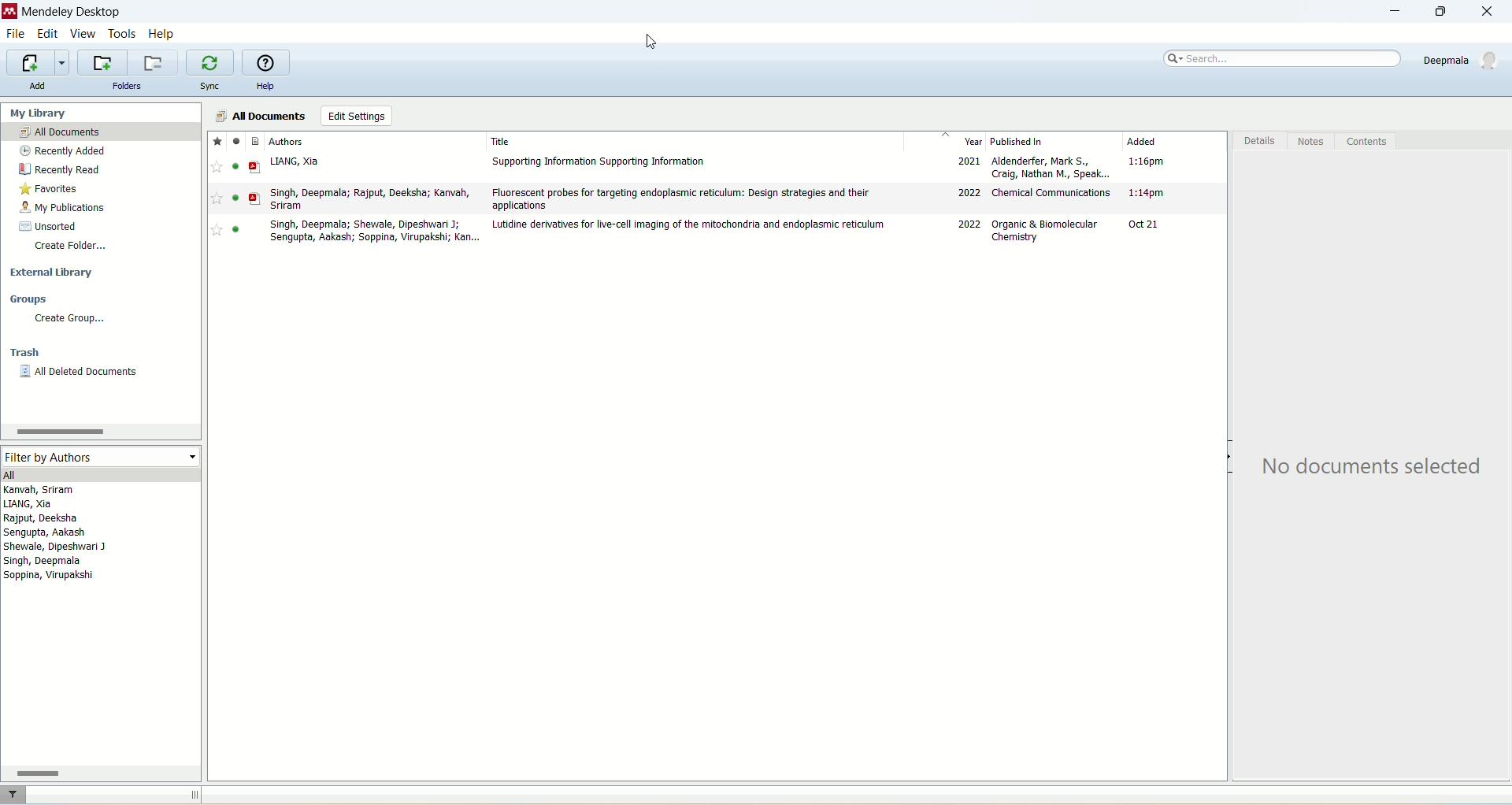 The width and height of the screenshot is (1512, 805). I want to click on Document type, so click(257, 140).